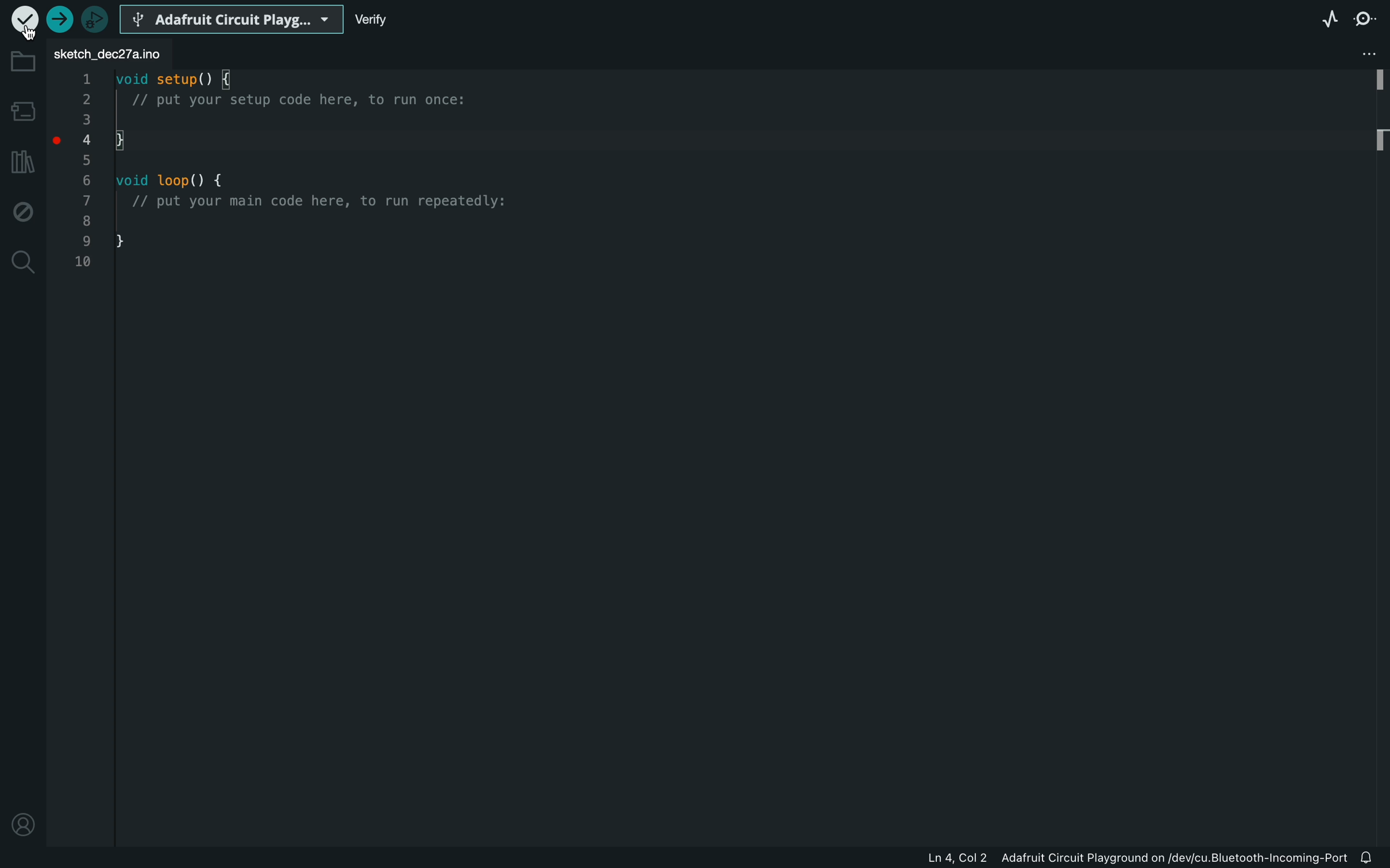  What do you see at coordinates (393, 21) in the screenshot?
I see `verify` at bounding box center [393, 21].